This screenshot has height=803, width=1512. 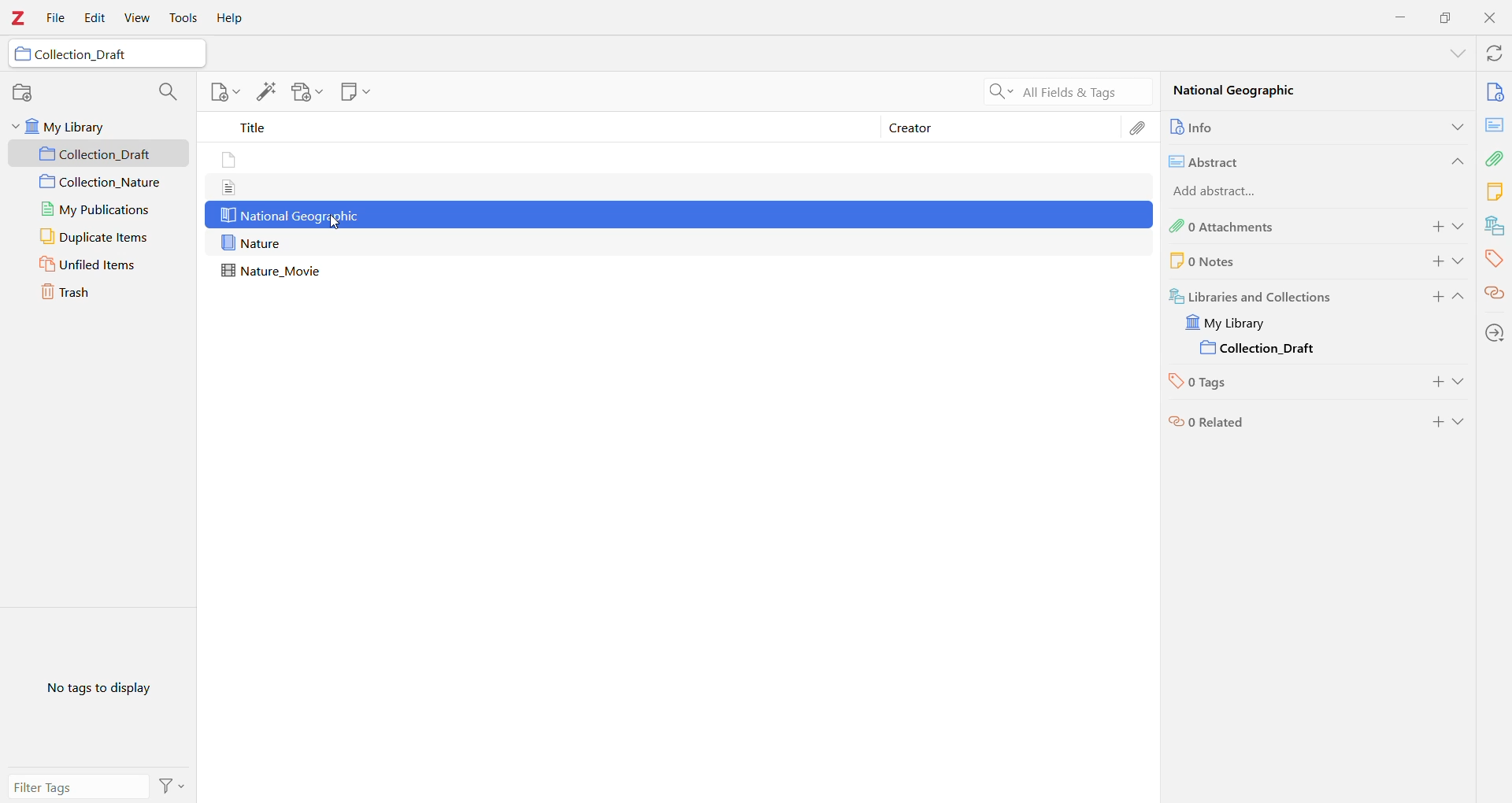 I want to click on Collapse Section, so click(x=1455, y=161).